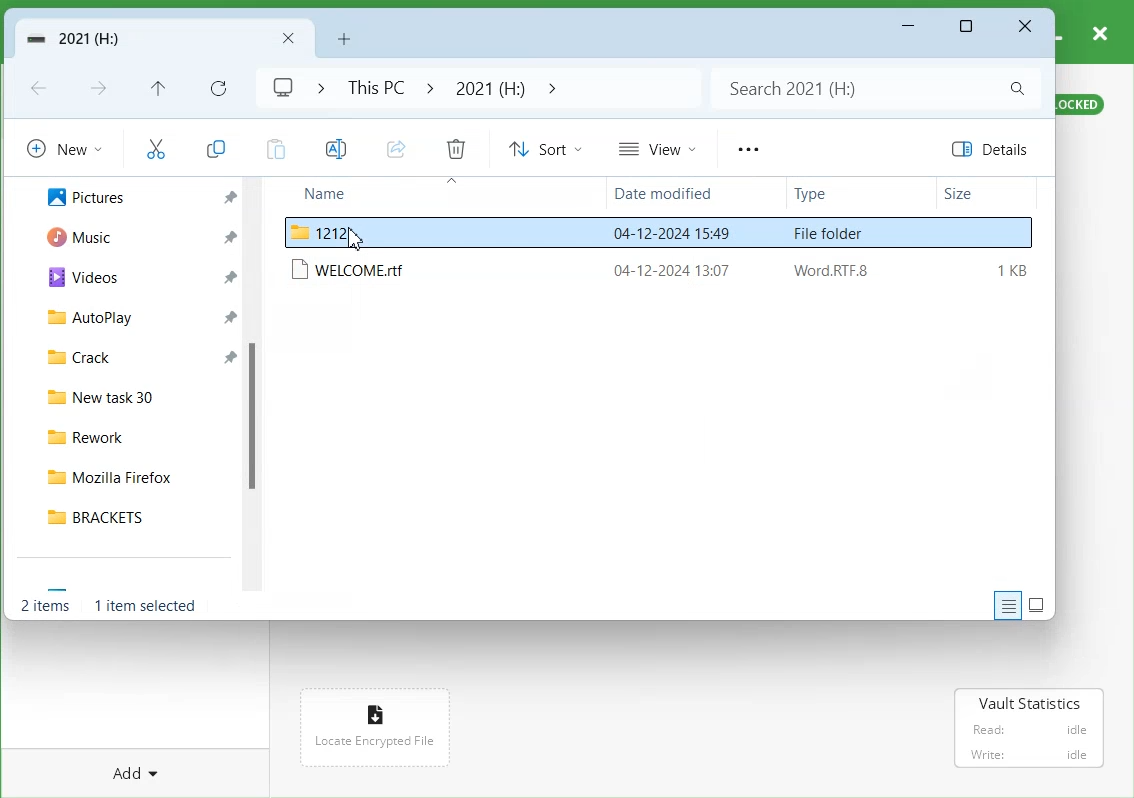 The height and width of the screenshot is (798, 1134). I want to click on Close Folder, so click(290, 40).